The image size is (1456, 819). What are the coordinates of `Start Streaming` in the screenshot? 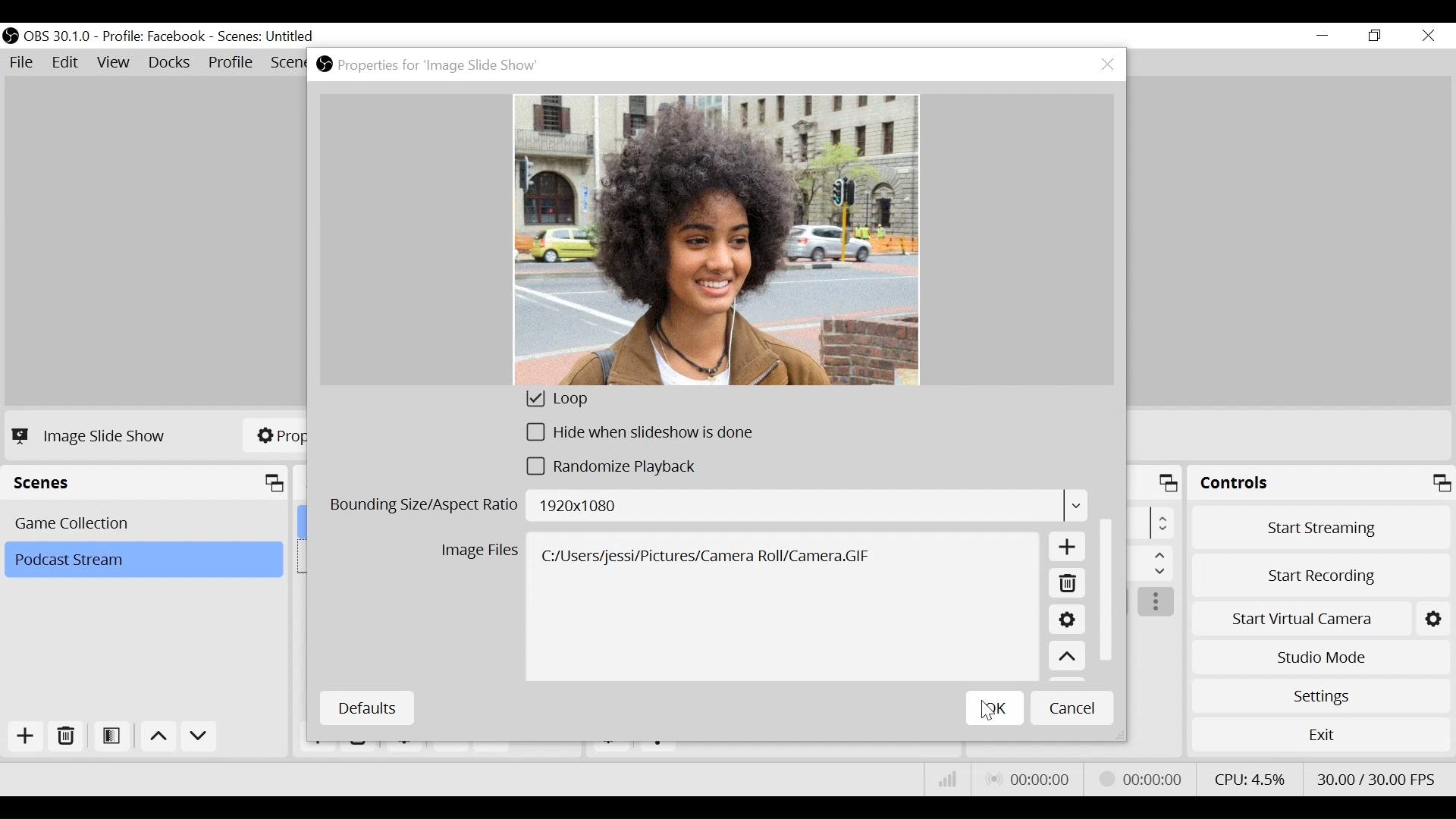 It's located at (1322, 527).